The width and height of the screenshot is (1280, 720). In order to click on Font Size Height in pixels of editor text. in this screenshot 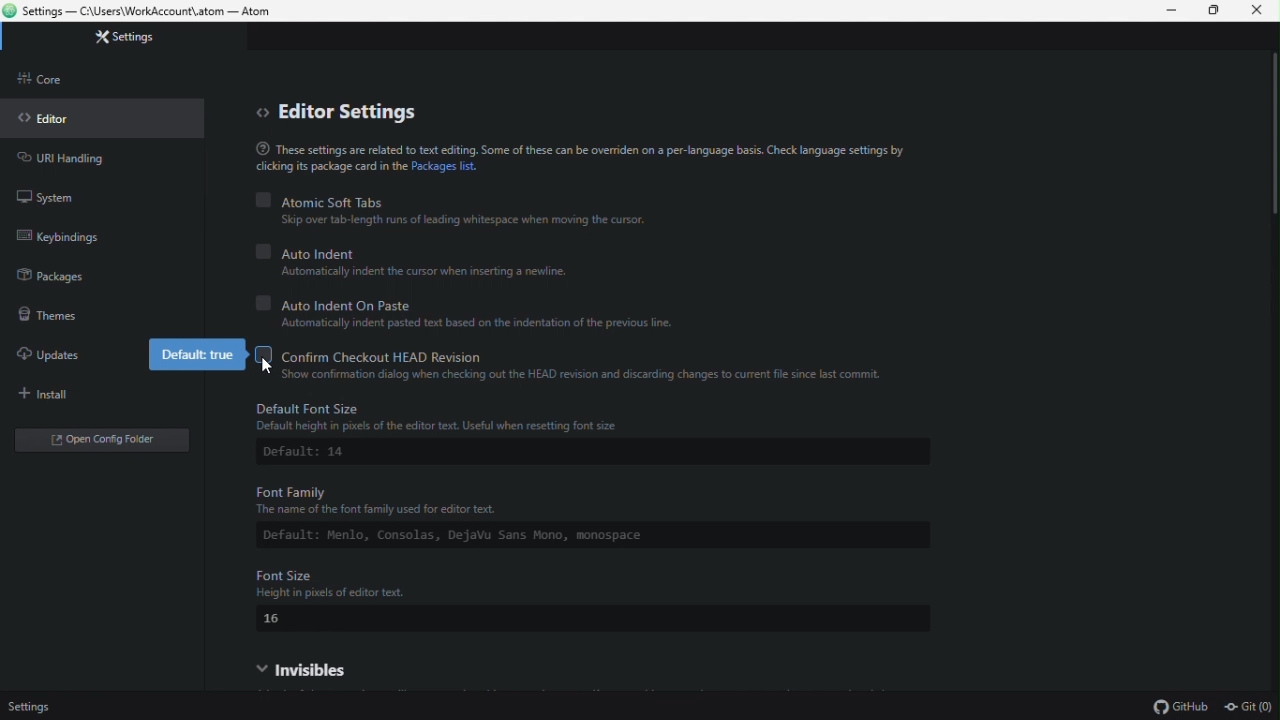, I will do `click(520, 581)`.